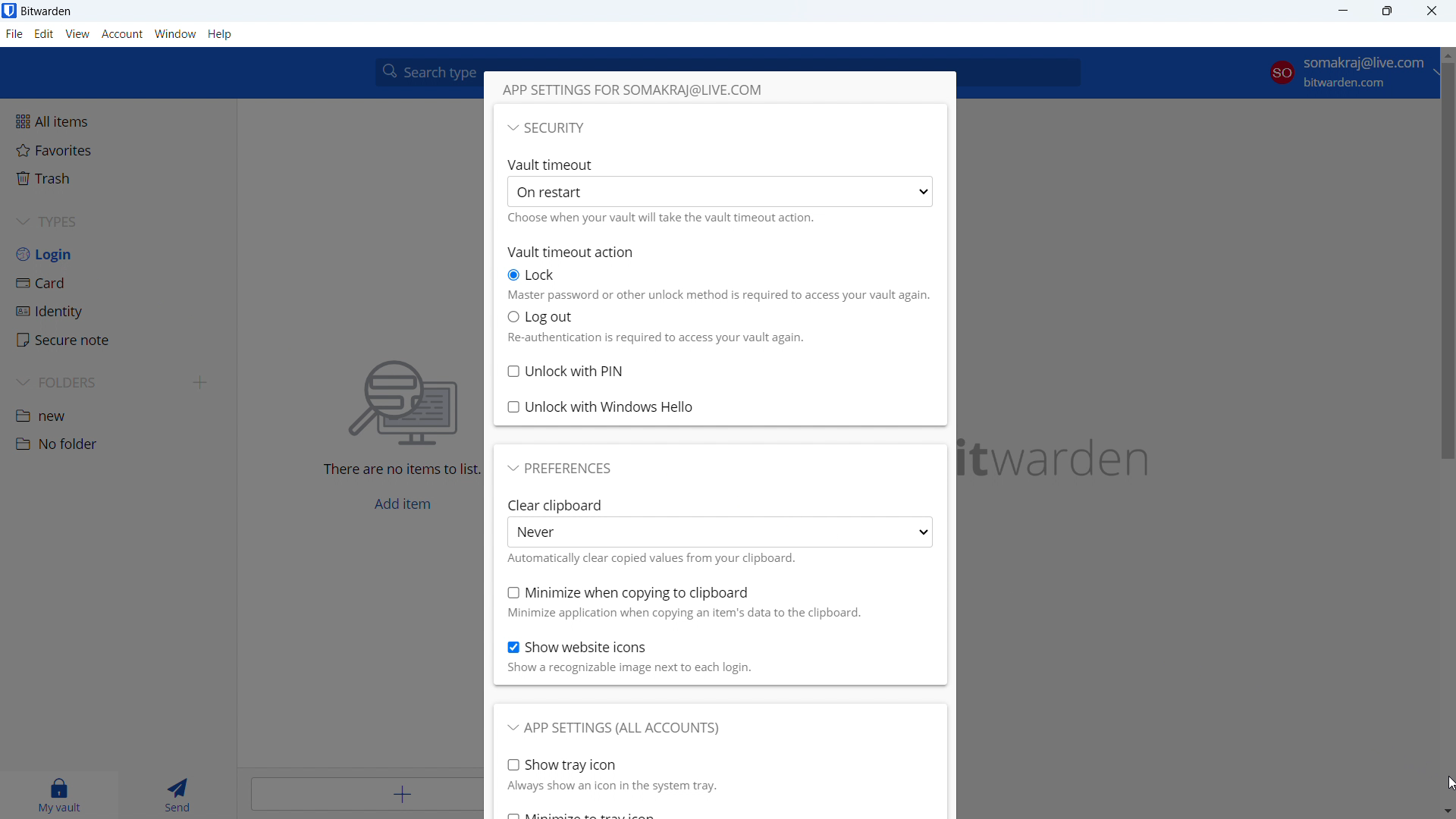 The width and height of the screenshot is (1456, 819). I want to click on add folder, so click(202, 382).